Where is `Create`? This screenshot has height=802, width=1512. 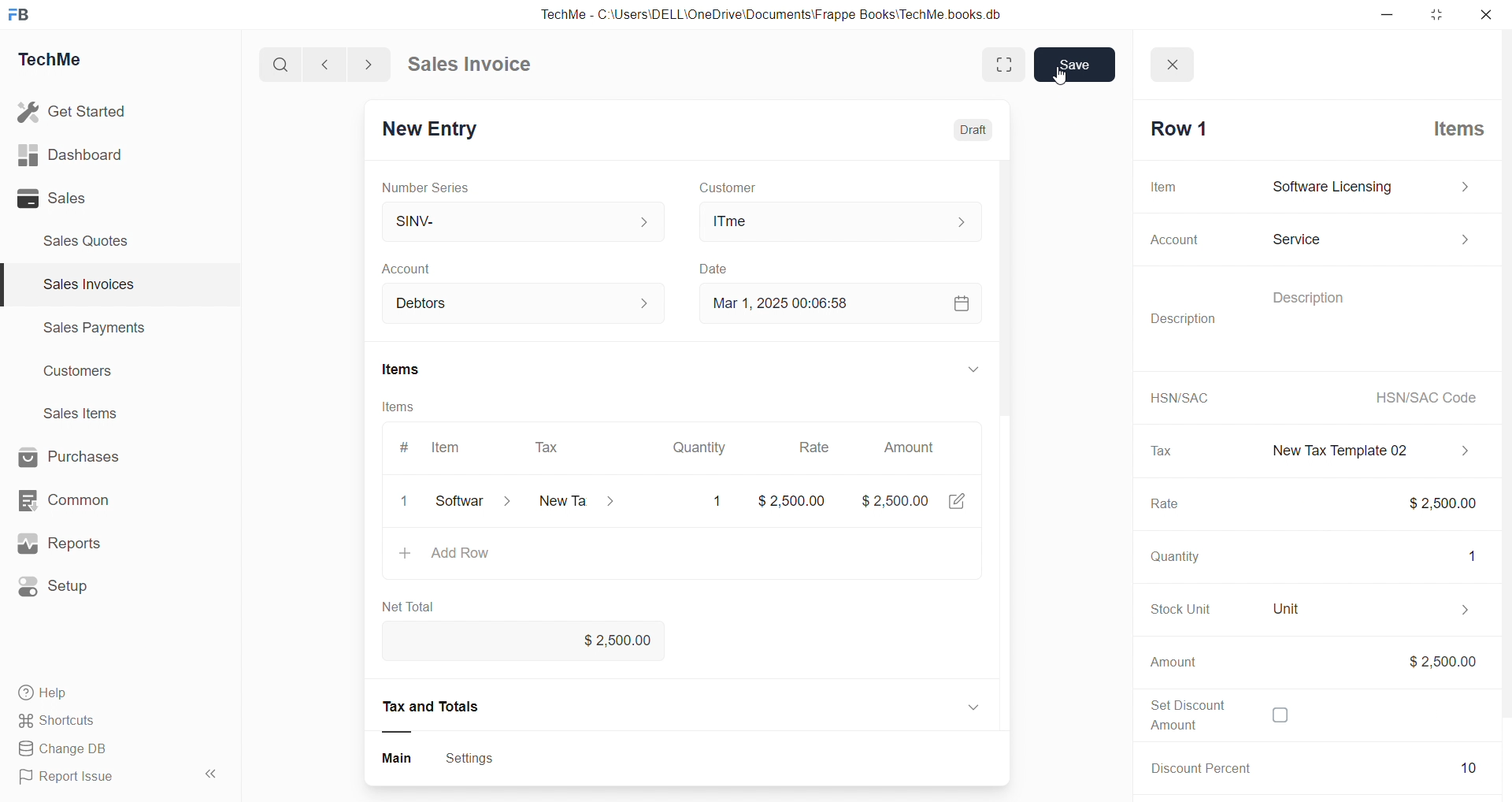 Create is located at coordinates (715, 265).